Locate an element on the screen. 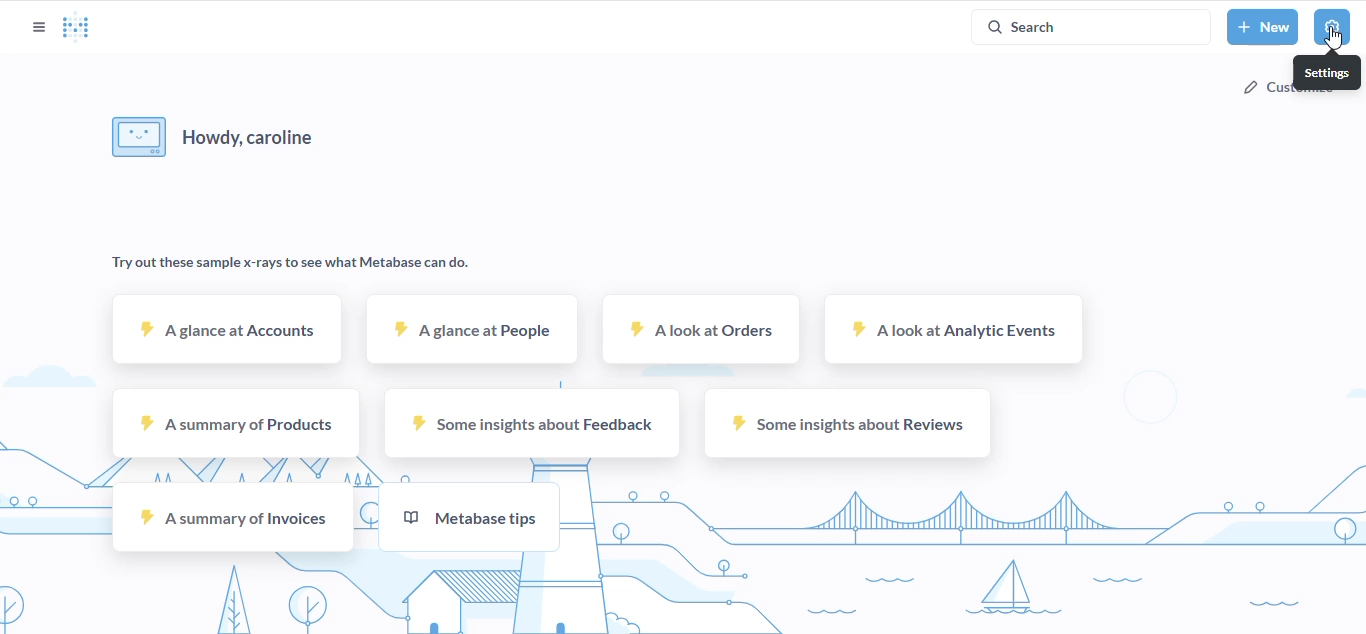 Image resolution: width=1366 pixels, height=634 pixels. a glance at people is located at coordinates (472, 331).